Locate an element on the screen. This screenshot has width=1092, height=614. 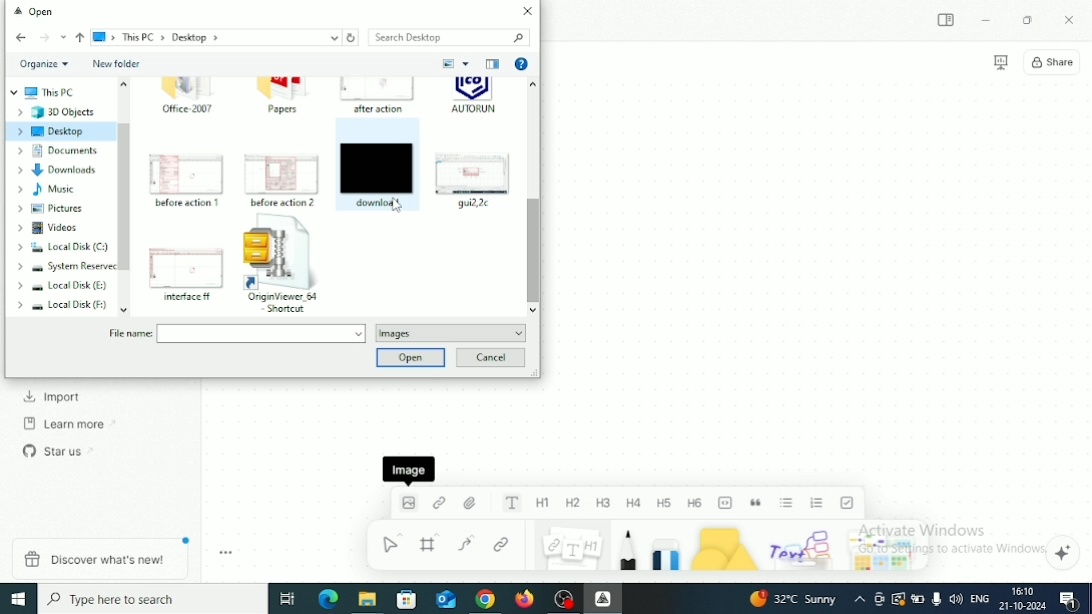
New folder is located at coordinates (117, 64).